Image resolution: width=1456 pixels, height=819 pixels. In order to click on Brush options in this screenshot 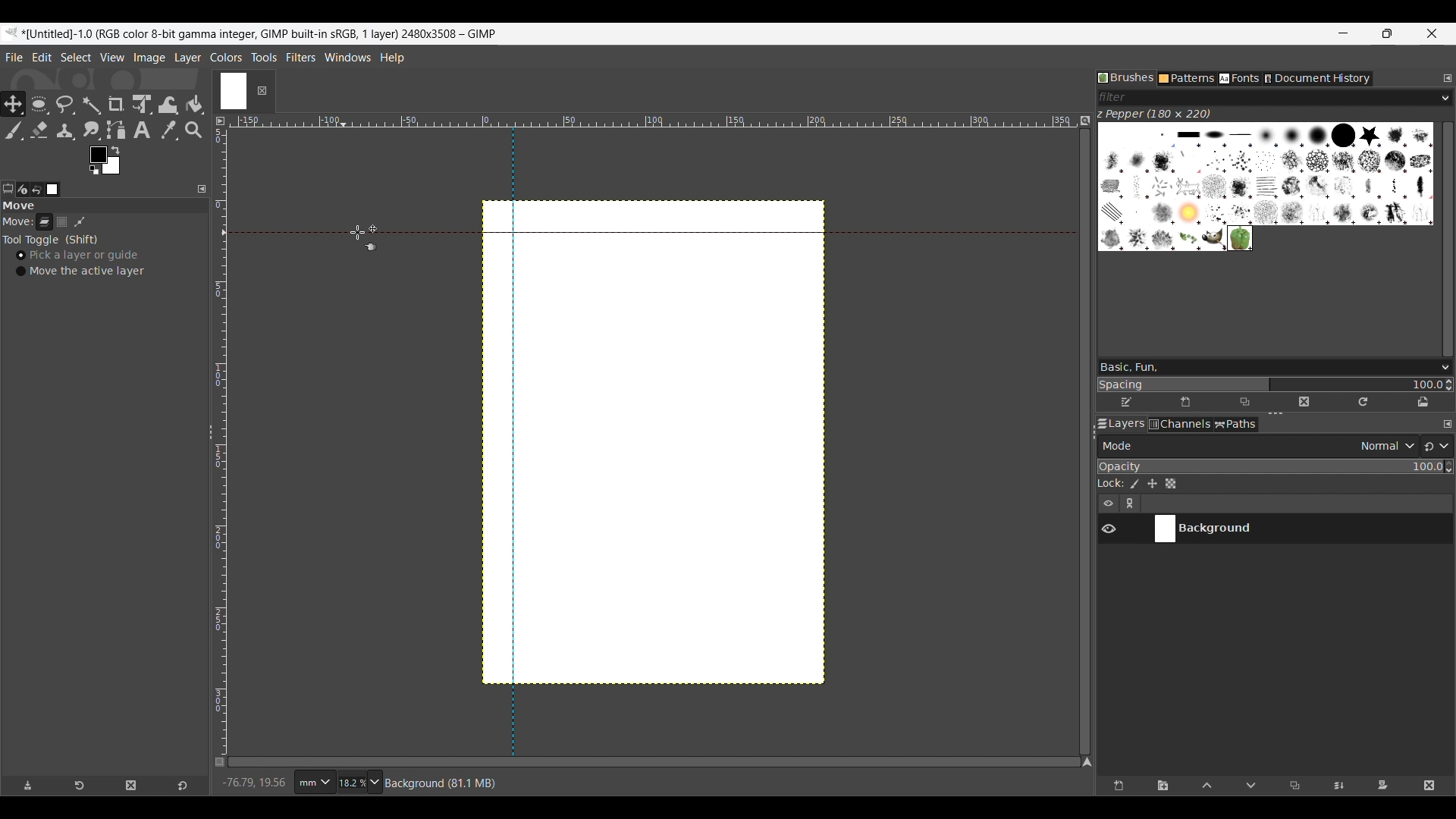, I will do `click(1442, 369)`.